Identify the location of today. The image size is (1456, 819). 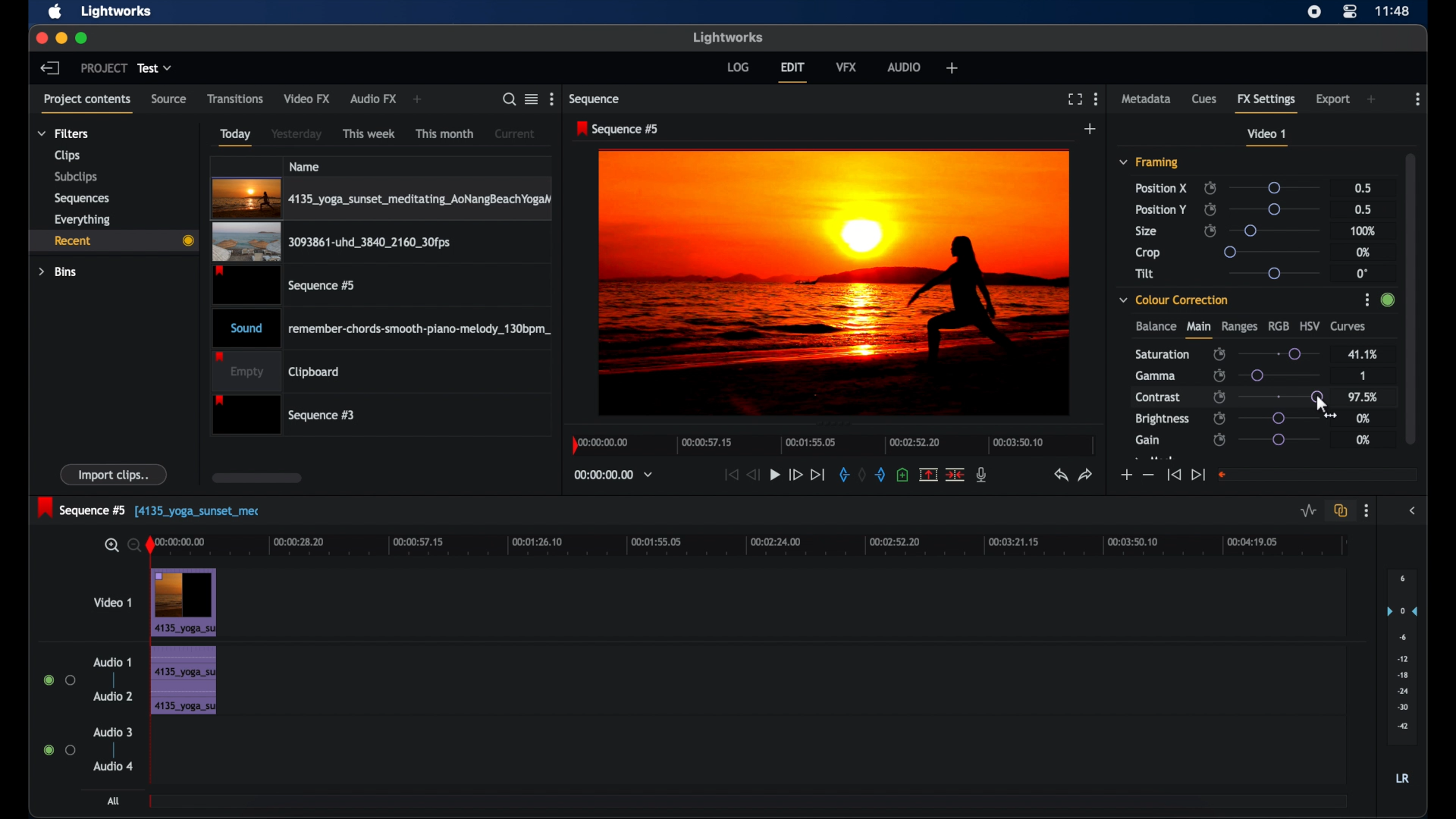
(235, 136).